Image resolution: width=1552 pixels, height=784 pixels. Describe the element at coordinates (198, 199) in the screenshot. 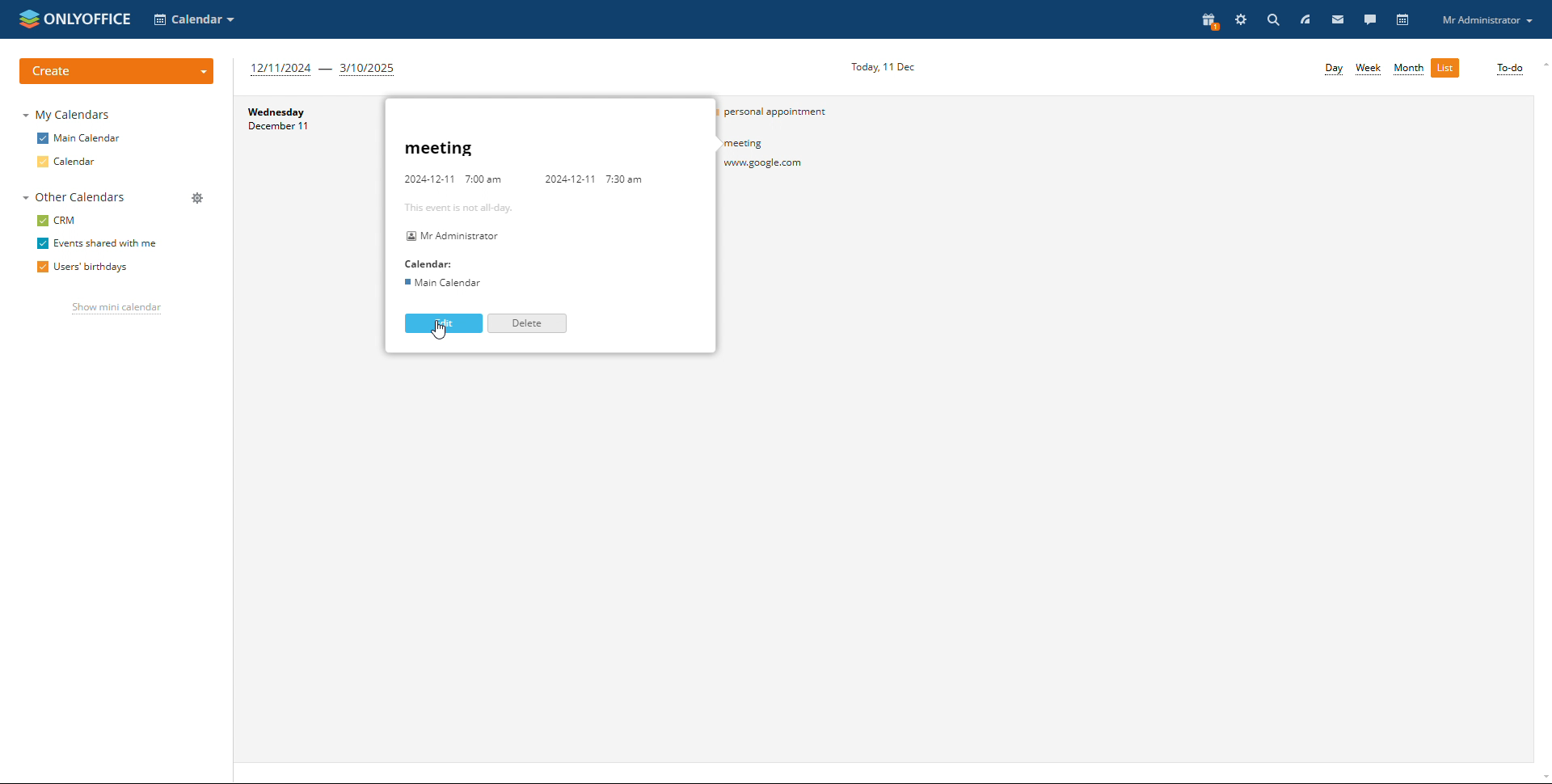

I see `manage` at that location.